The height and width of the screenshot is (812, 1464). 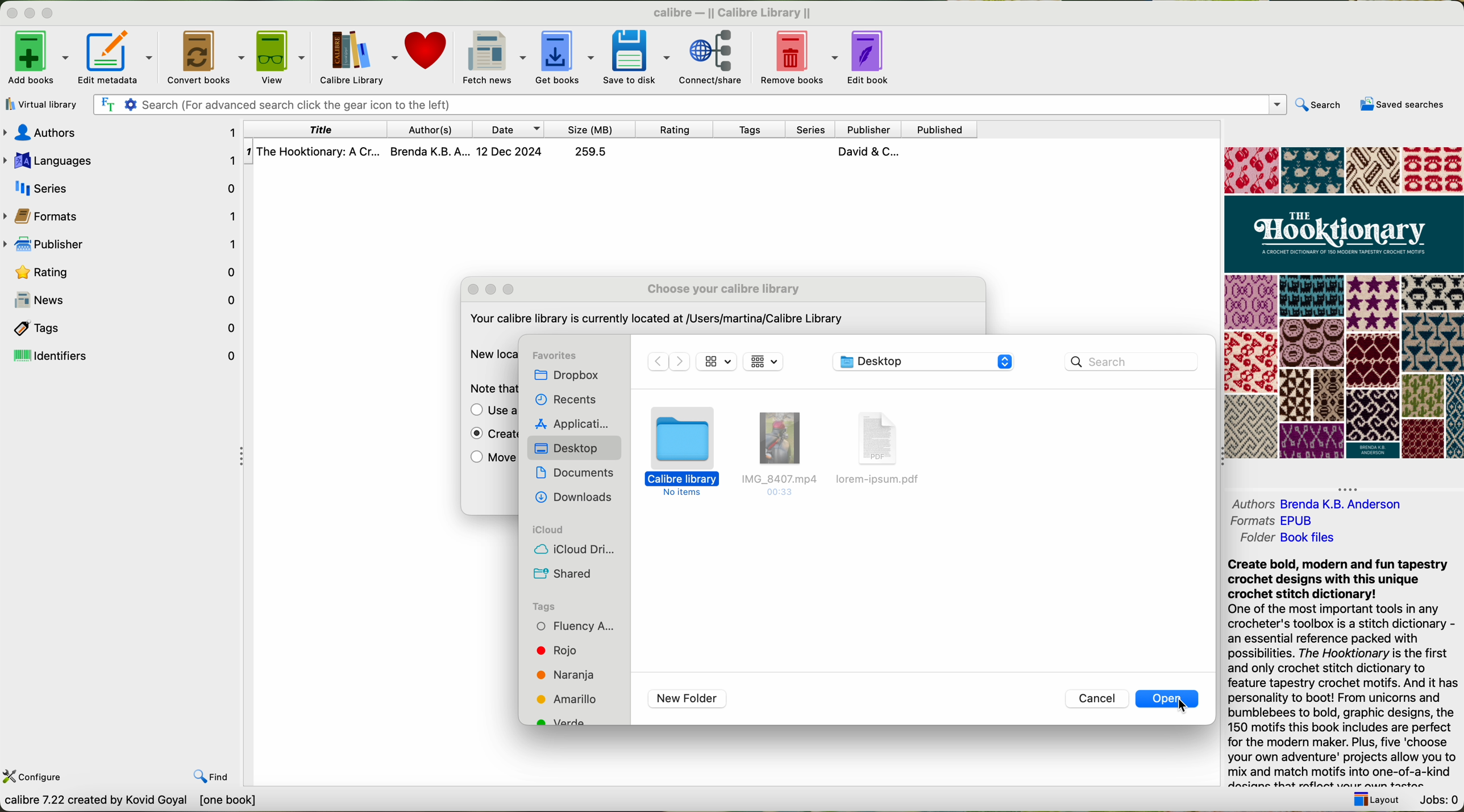 I want to click on note, so click(x=490, y=386).